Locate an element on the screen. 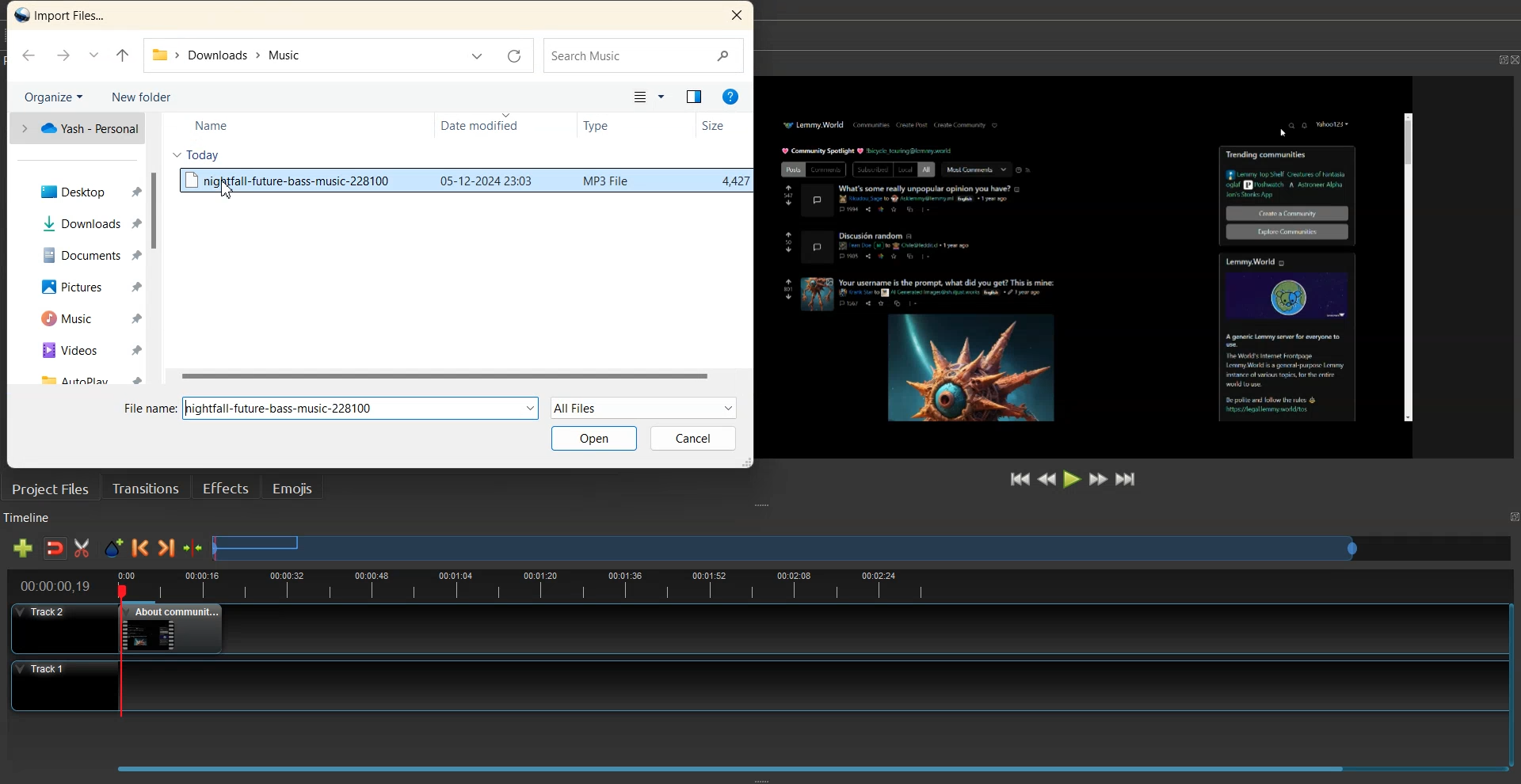 This screenshot has width=1521, height=784. Disable snaping is located at coordinates (55, 548).